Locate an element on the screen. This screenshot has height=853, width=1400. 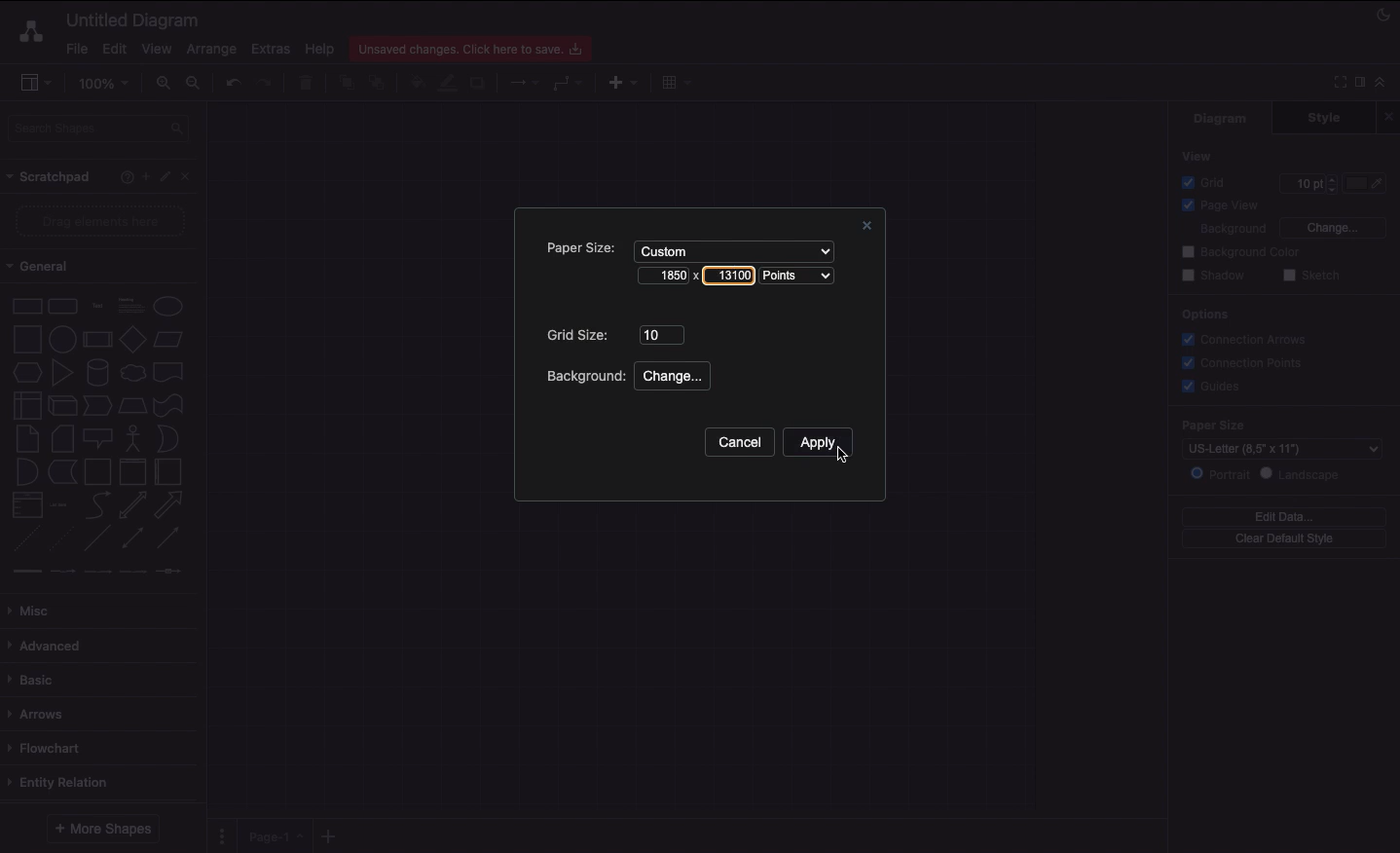
Style is located at coordinates (1326, 117).